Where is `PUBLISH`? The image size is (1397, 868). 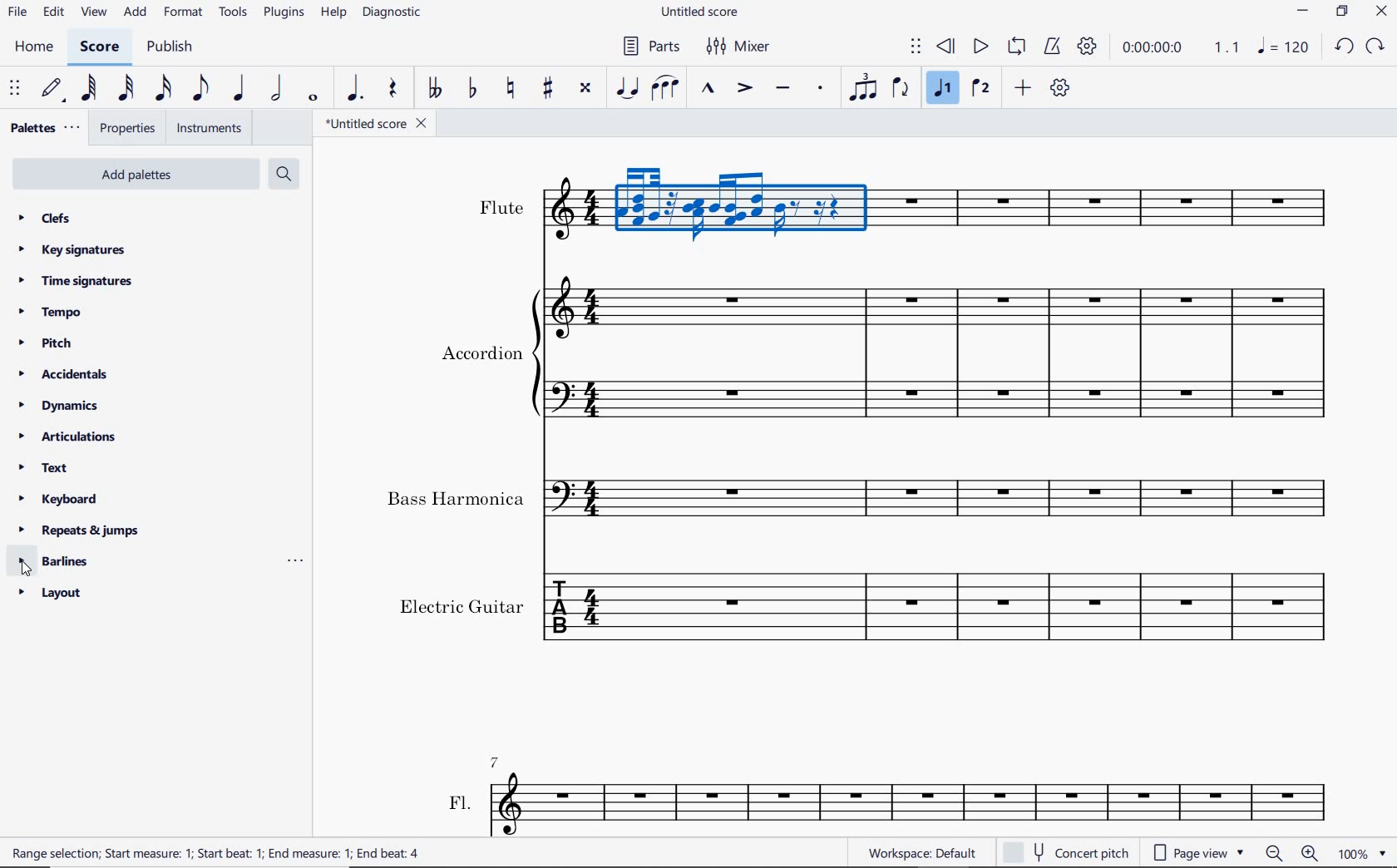 PUBLISH is located at coordinates (172, 48).